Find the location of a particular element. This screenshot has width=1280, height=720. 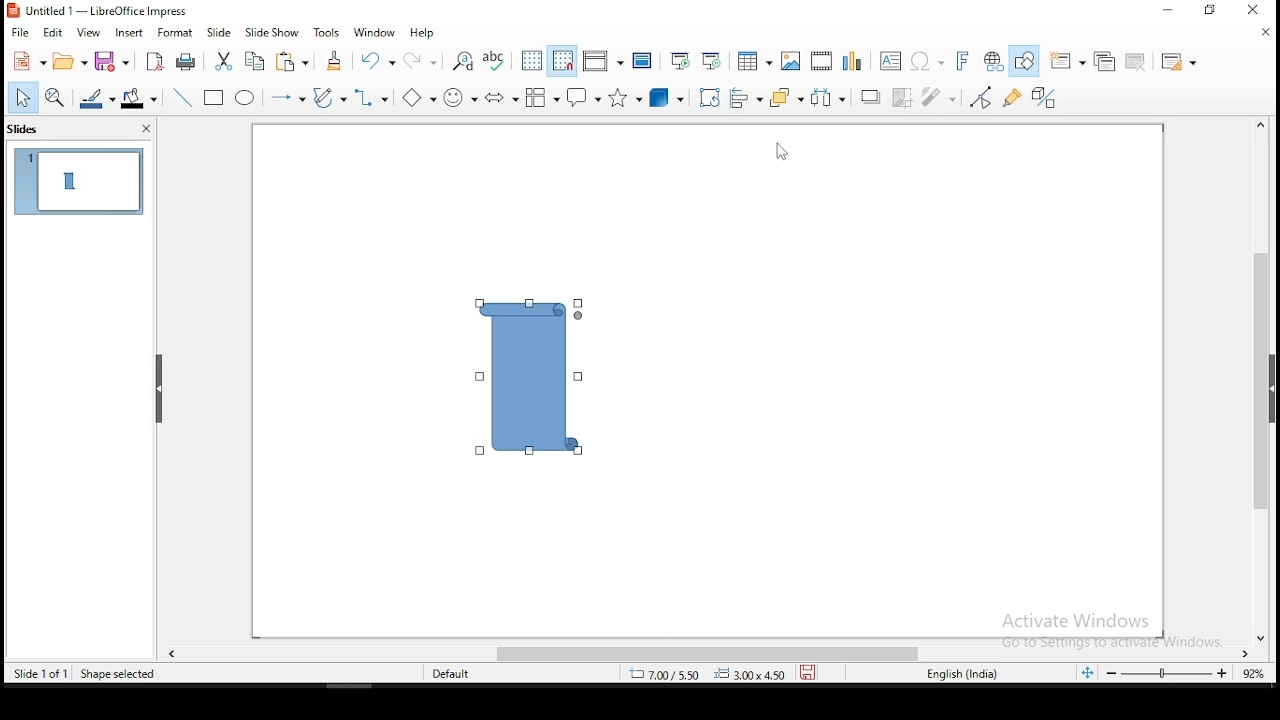

start from first slide is located at coordinates (683, 60).